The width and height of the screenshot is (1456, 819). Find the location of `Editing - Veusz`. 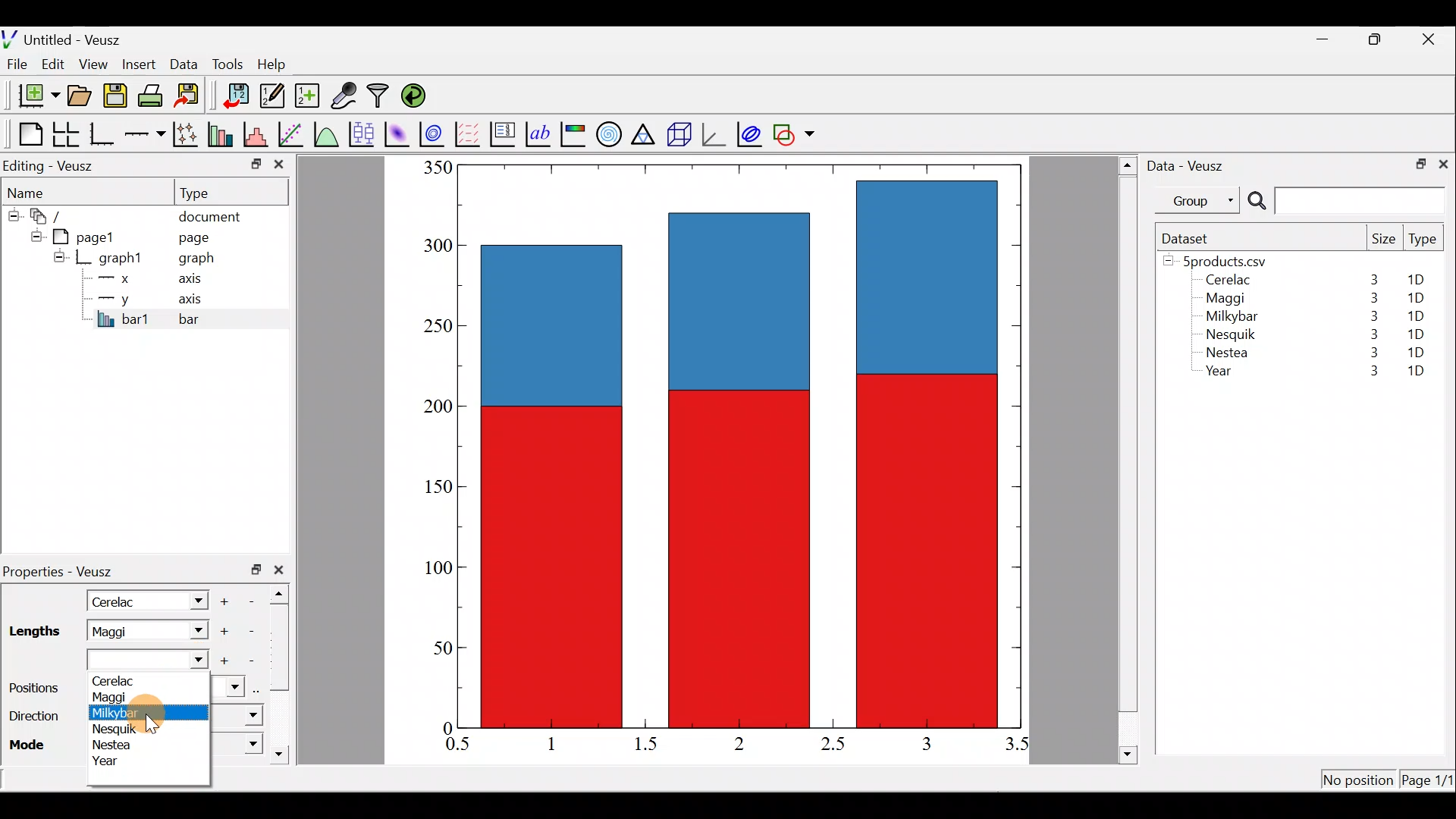

Editing - Veusz is located at coordinates (52, 165).